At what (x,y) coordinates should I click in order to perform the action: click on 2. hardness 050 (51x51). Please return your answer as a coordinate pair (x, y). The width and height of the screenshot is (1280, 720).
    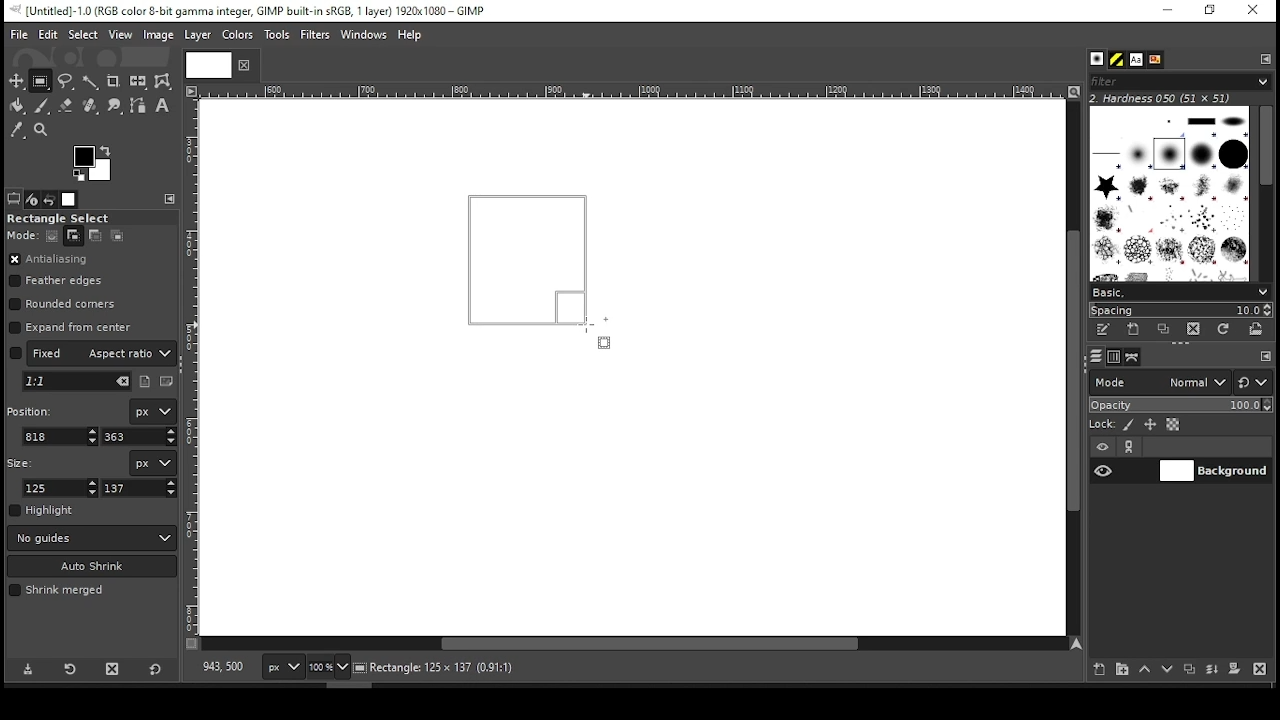
    Looking at the image, I should click on (1166, 98).